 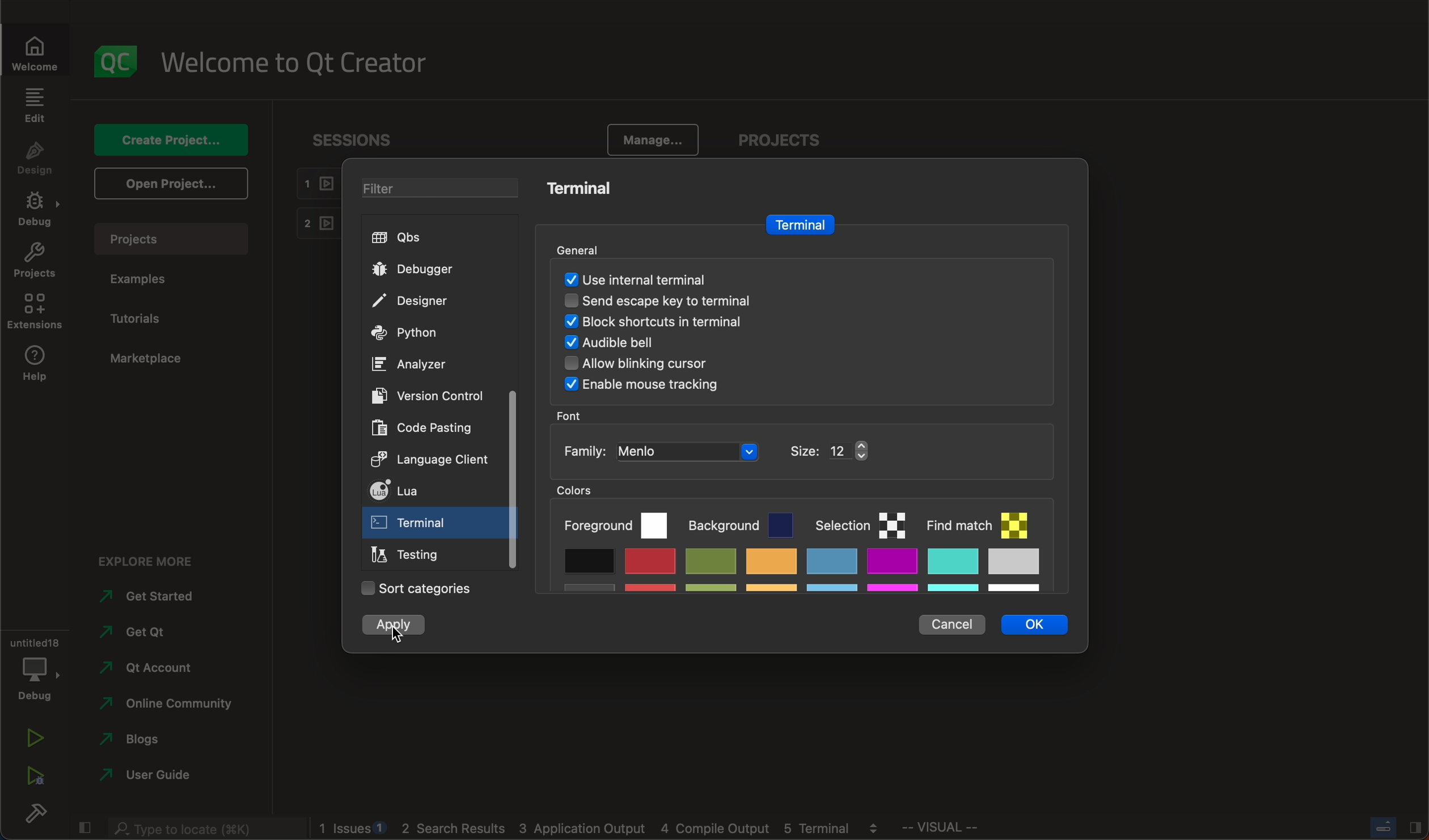 What do you see at coordinates (429, 490) in the screenshot?
I see `lua` at bounding box center [429, 490].